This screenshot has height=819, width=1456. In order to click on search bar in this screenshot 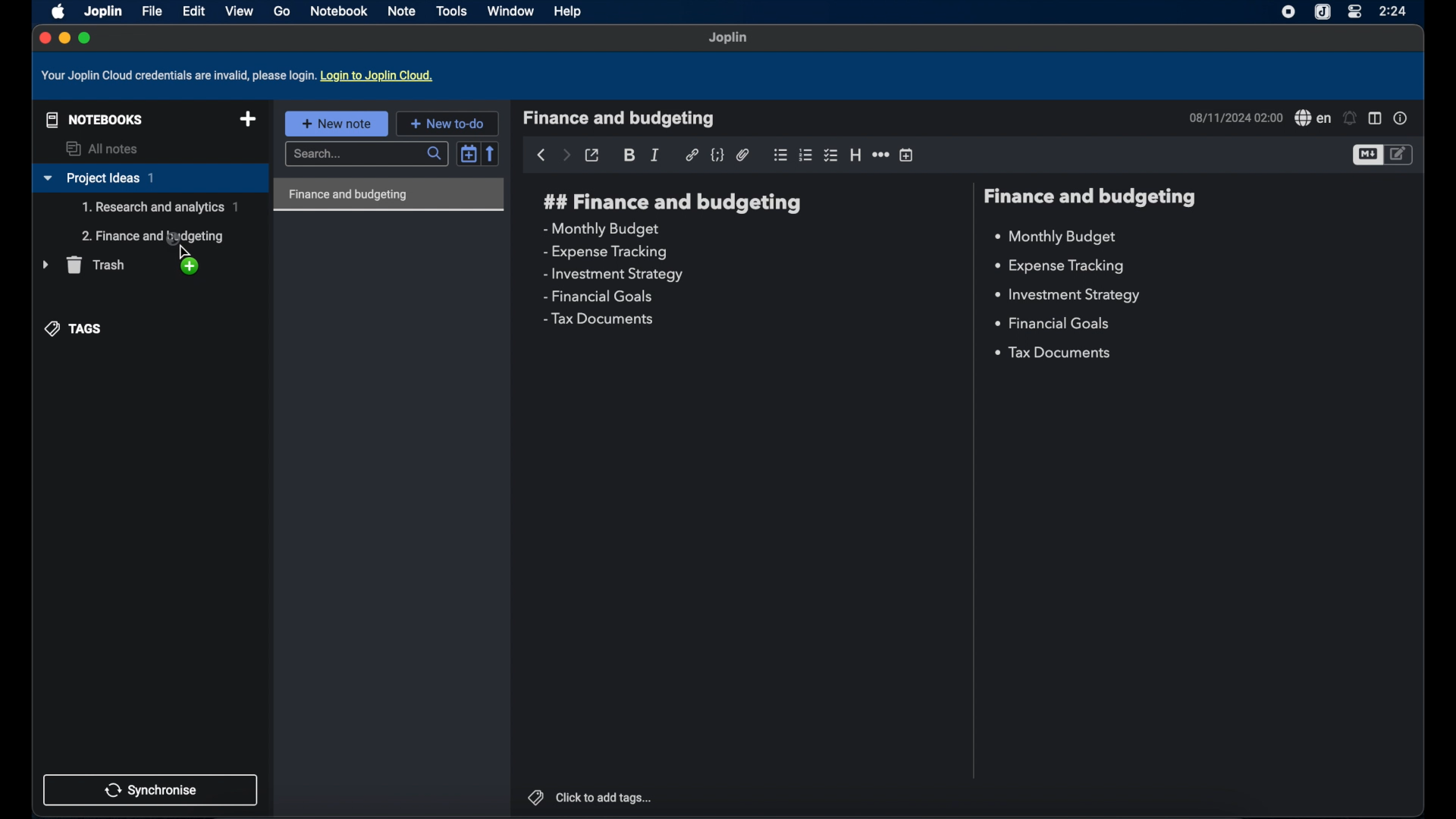, I will do `click(369, 155)`.